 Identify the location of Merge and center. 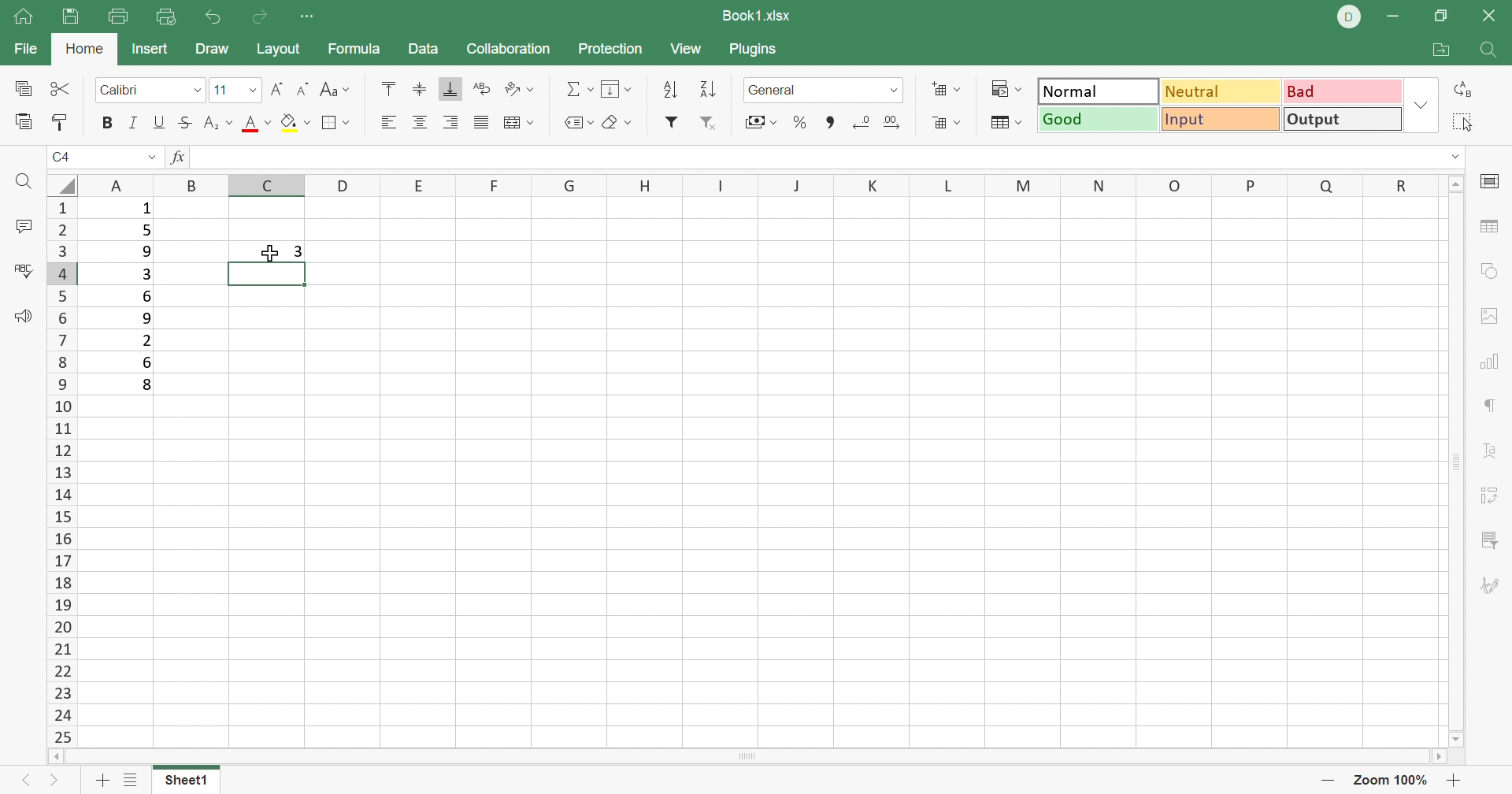
(521, 124).